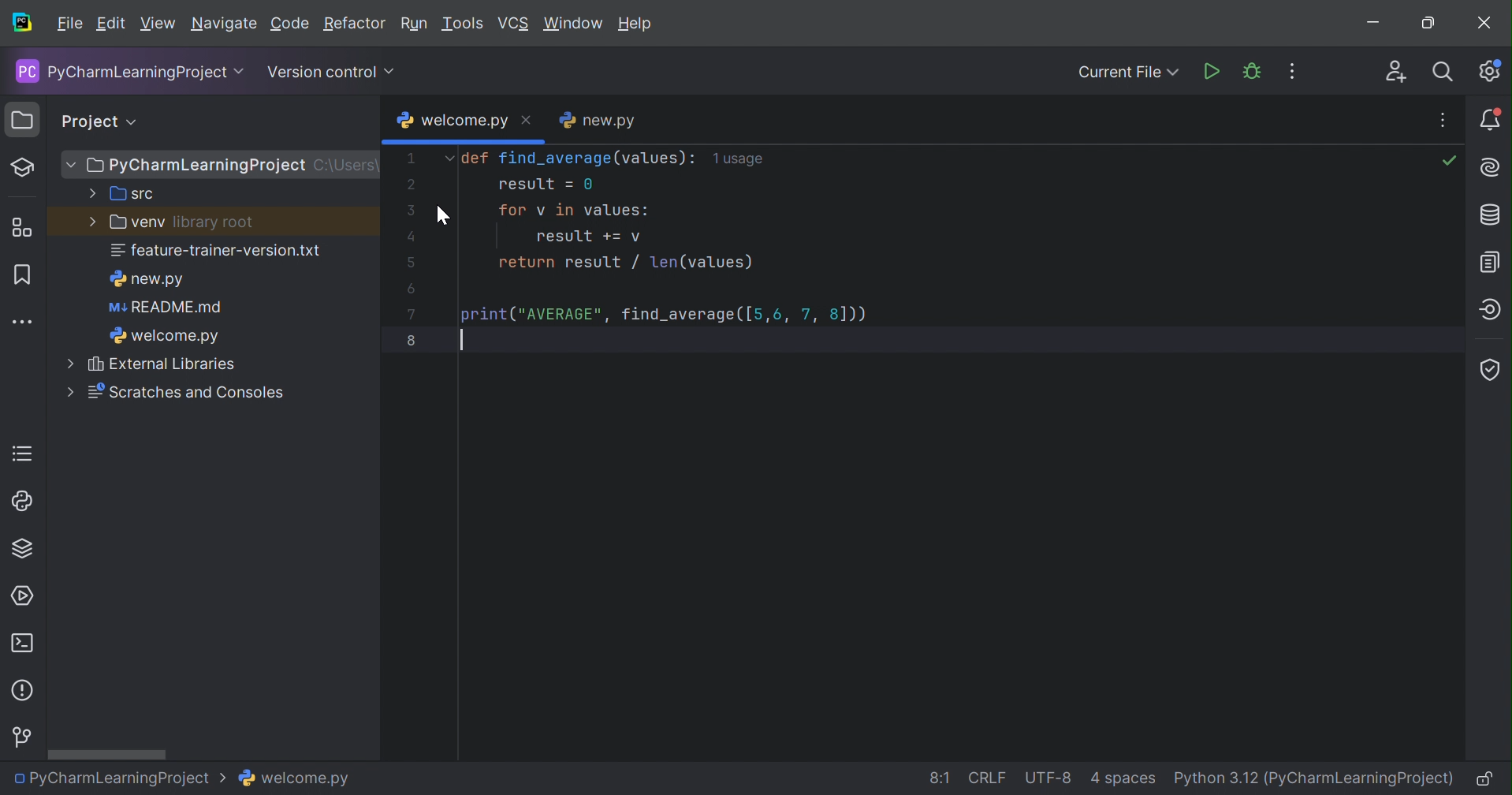  I want to click on Close, so click(1486, 24).